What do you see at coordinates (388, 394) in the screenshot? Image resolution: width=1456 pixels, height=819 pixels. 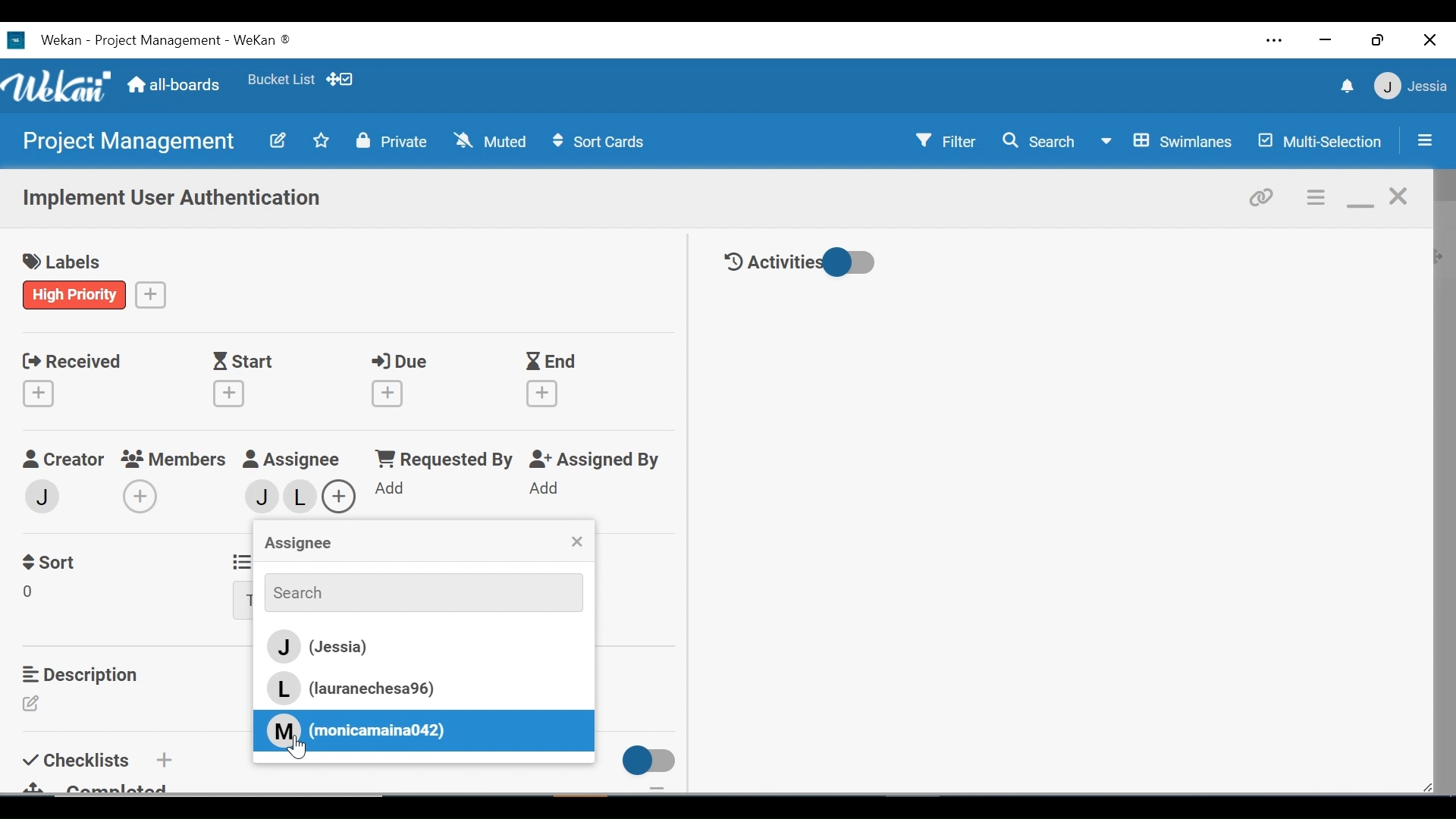 I see `create Due Date` at bounding box center [388, 394].